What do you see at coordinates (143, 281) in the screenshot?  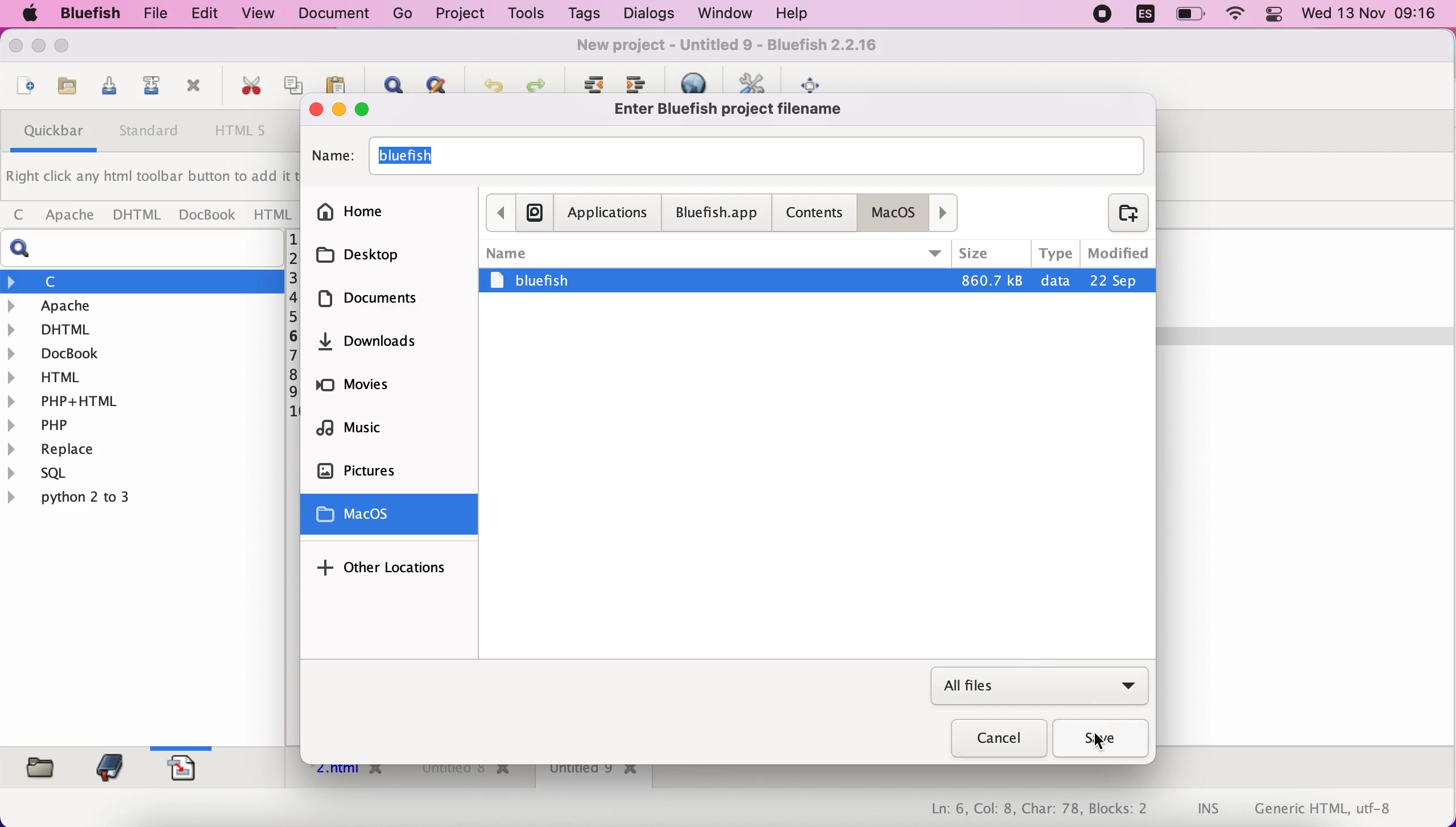 I see `c` at bounding box center [143, 281].